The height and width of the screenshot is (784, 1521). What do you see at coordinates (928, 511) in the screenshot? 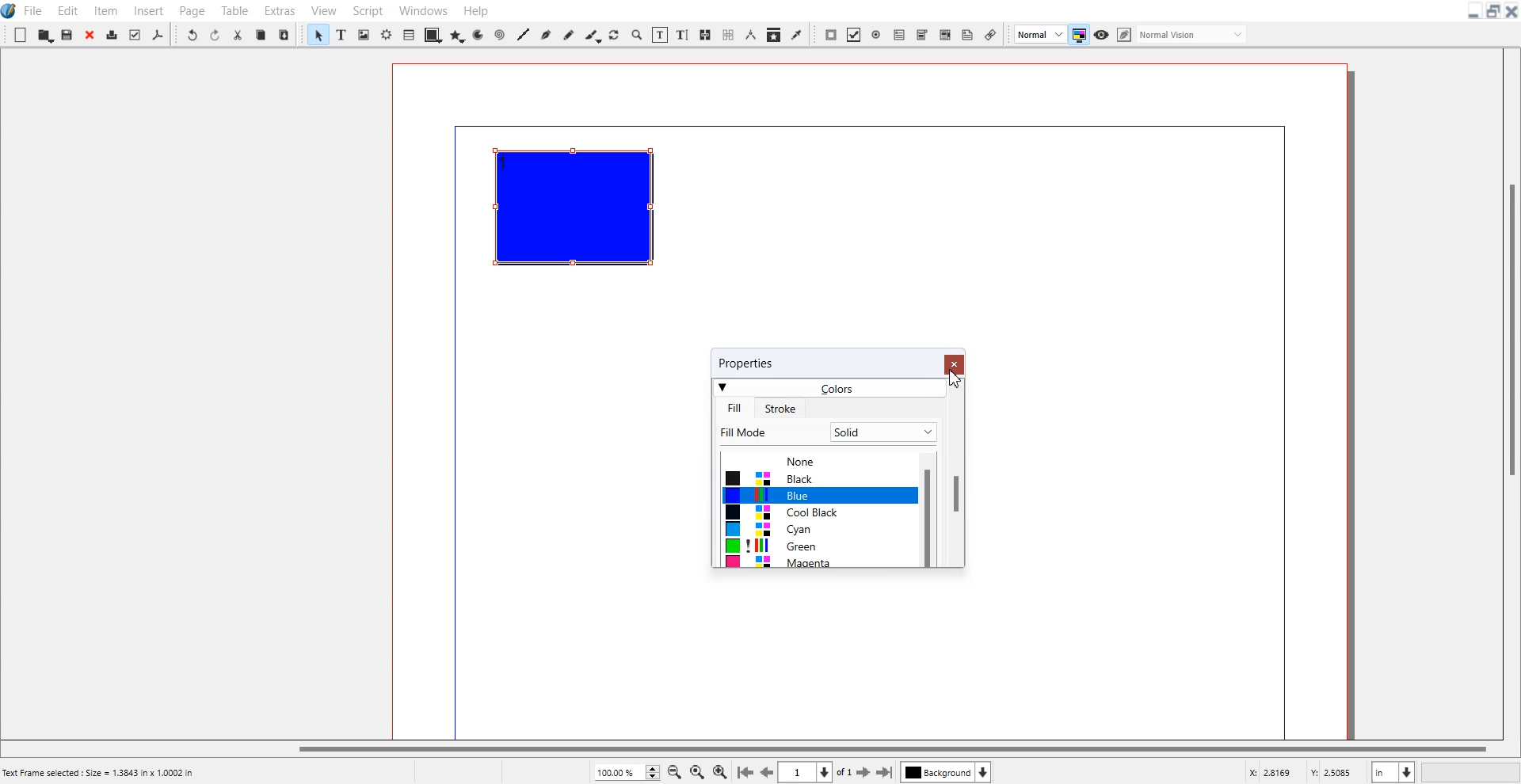
I see `Vertical Scroll bar` at bounding box center [928, 511].